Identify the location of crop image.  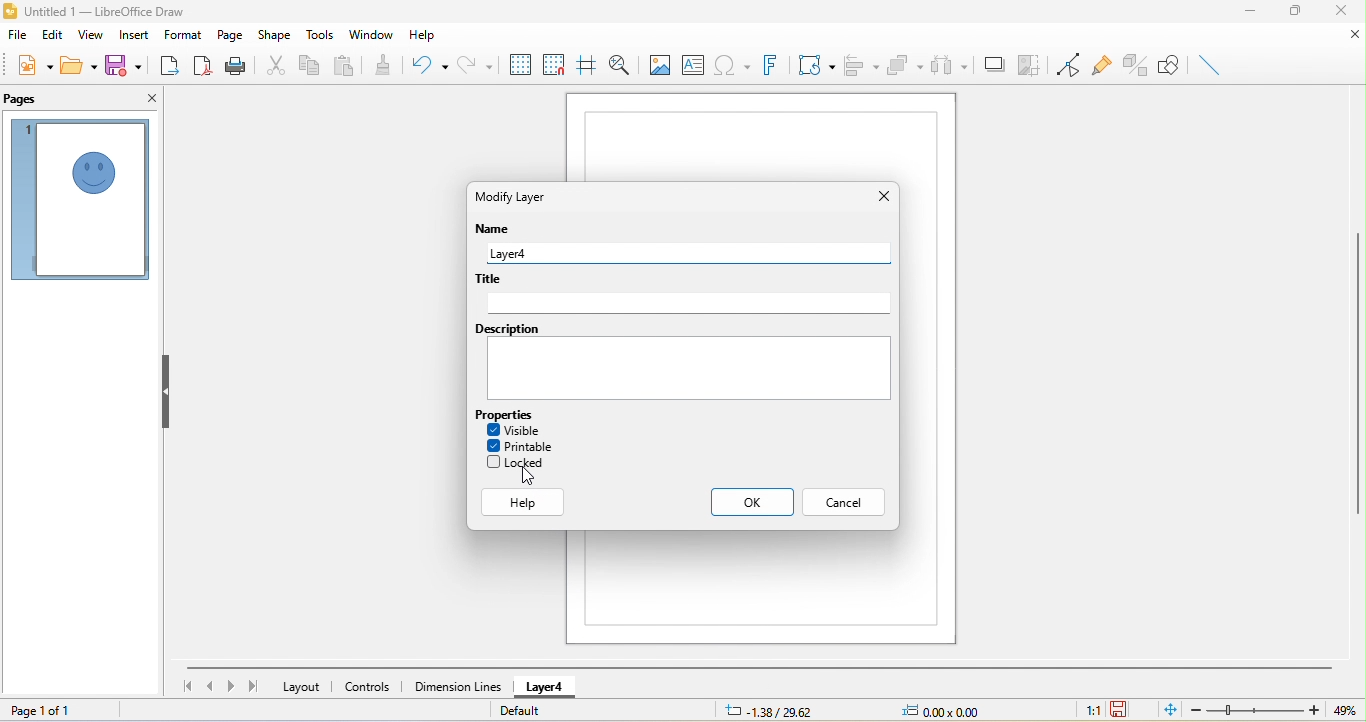
(1030, 63).